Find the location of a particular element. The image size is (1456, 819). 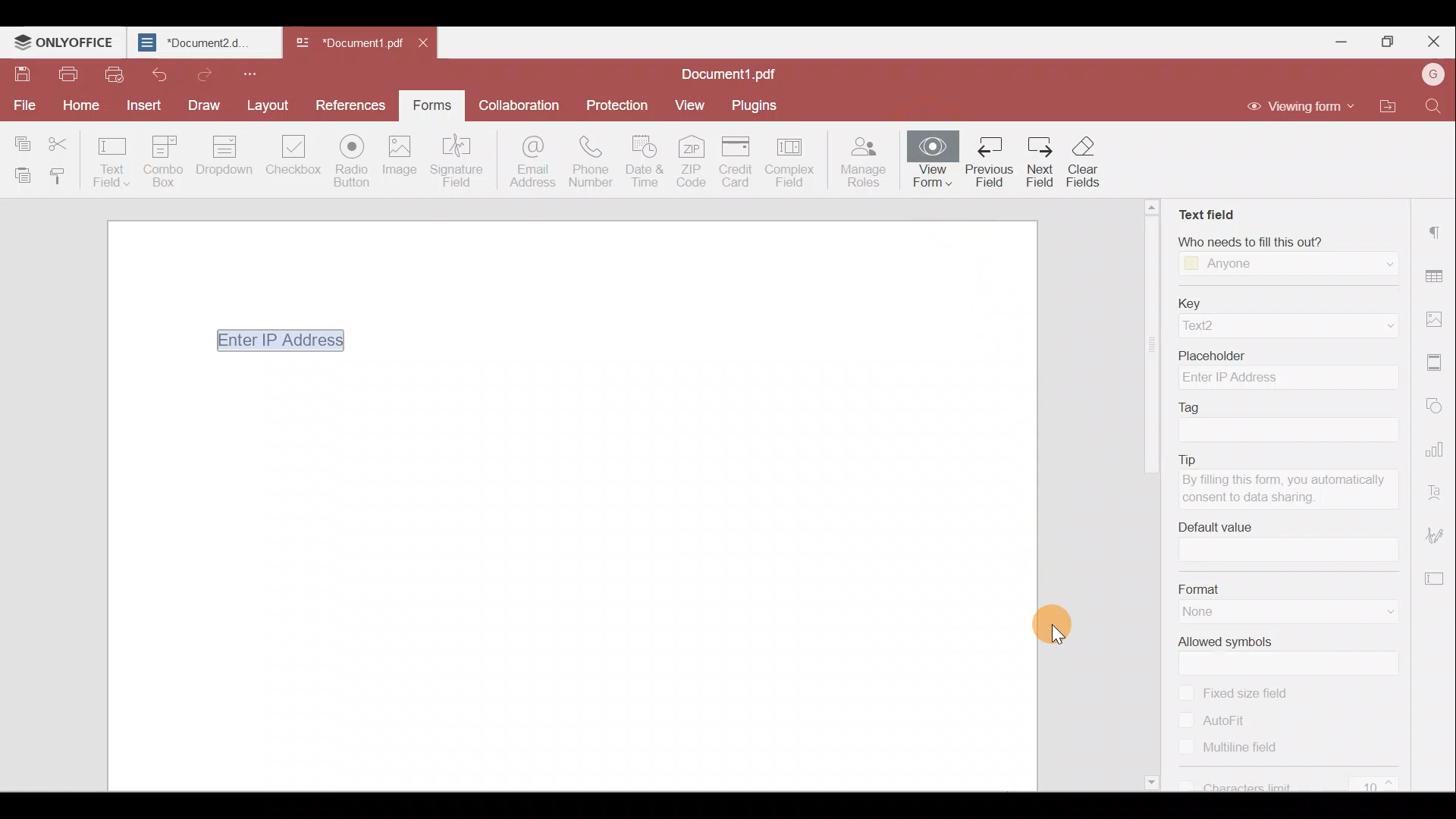

Clear fields is located at coordinates (1087, 162).